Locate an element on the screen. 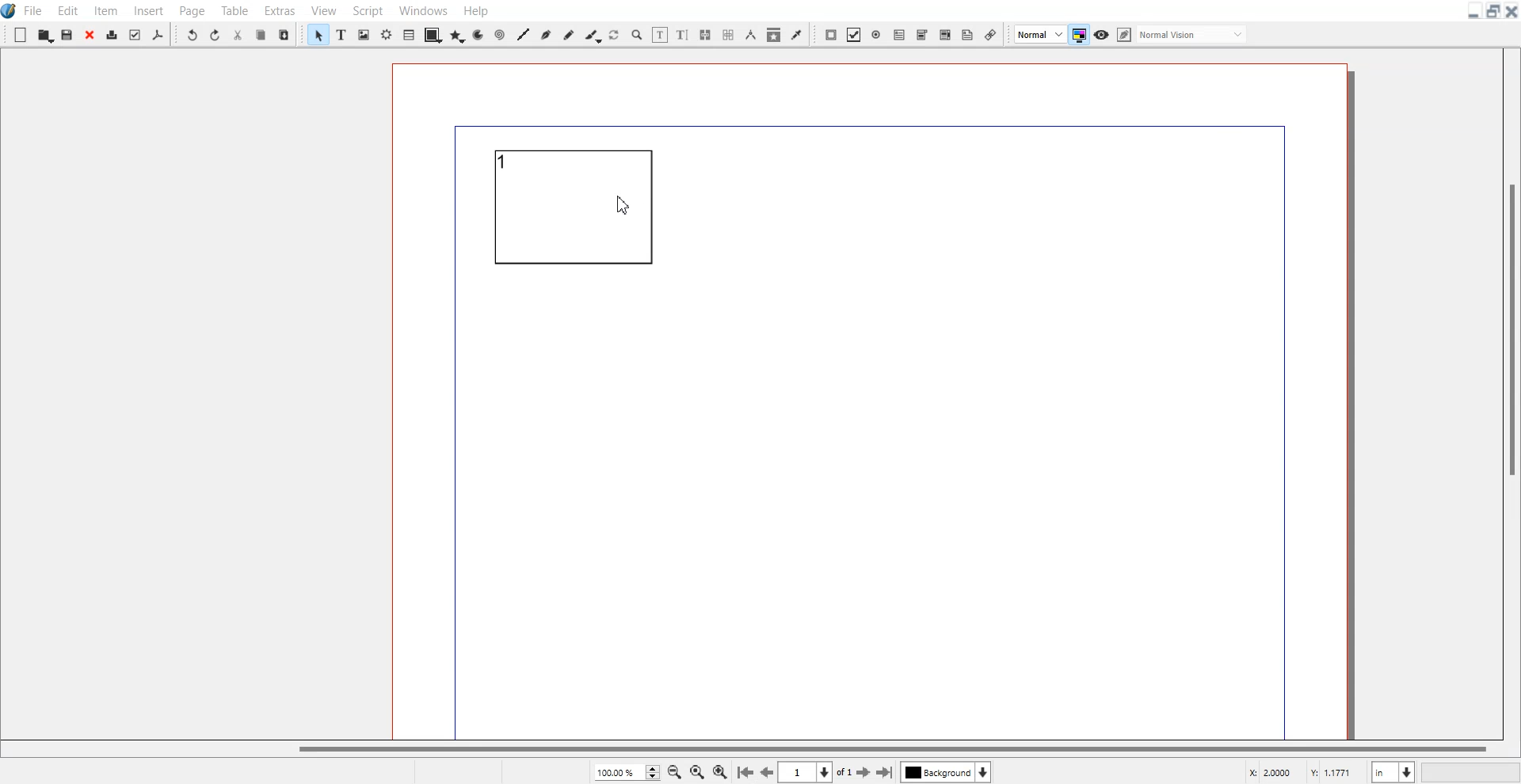 The height and width of the screenshot is (784, 1521). Save as PDF is located at coordinates (157, 34).